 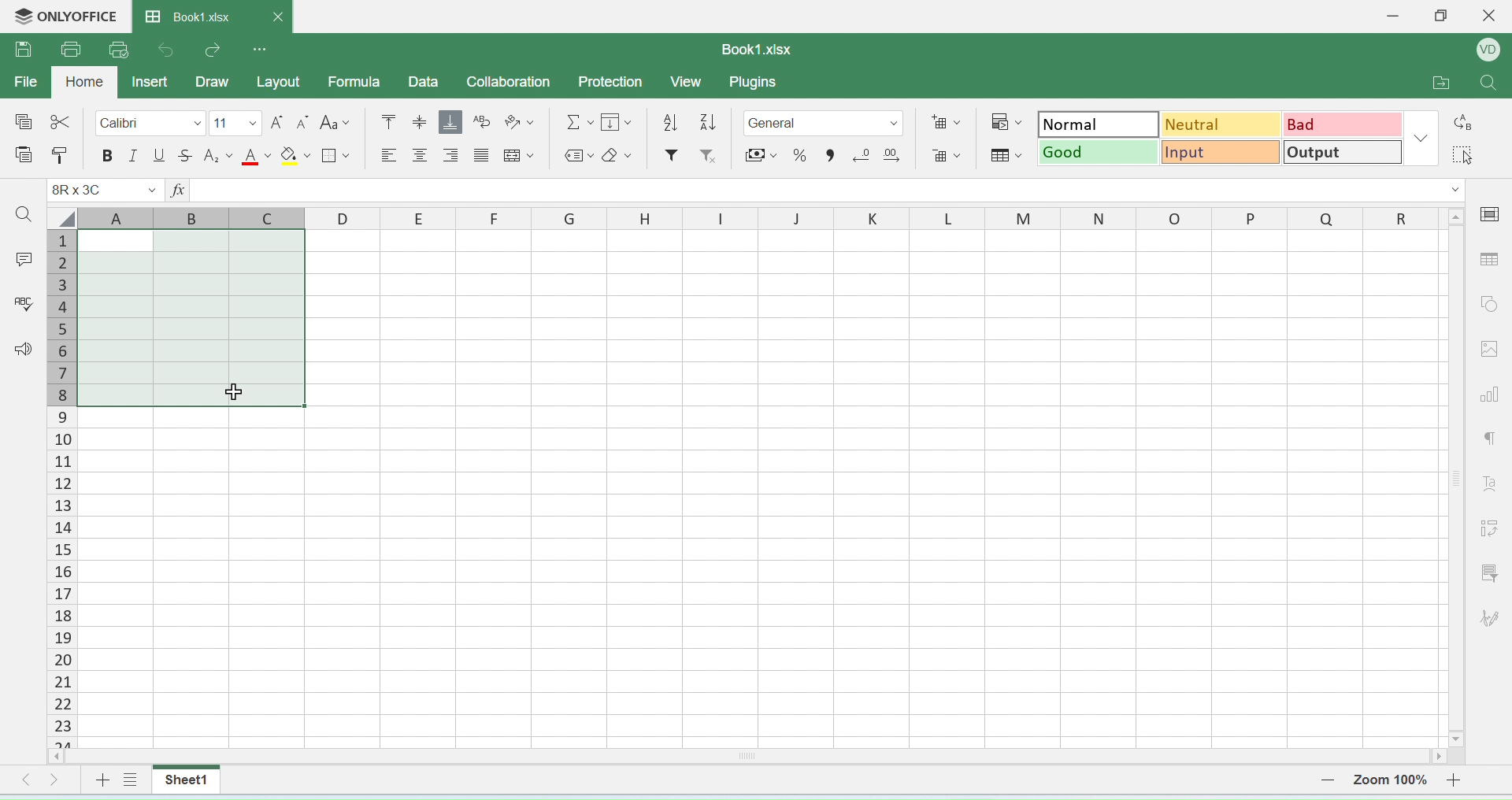 What do you see at coordinates (1464, 155) in the screenshot?
I see `select` at bounding box center [1464, 155].